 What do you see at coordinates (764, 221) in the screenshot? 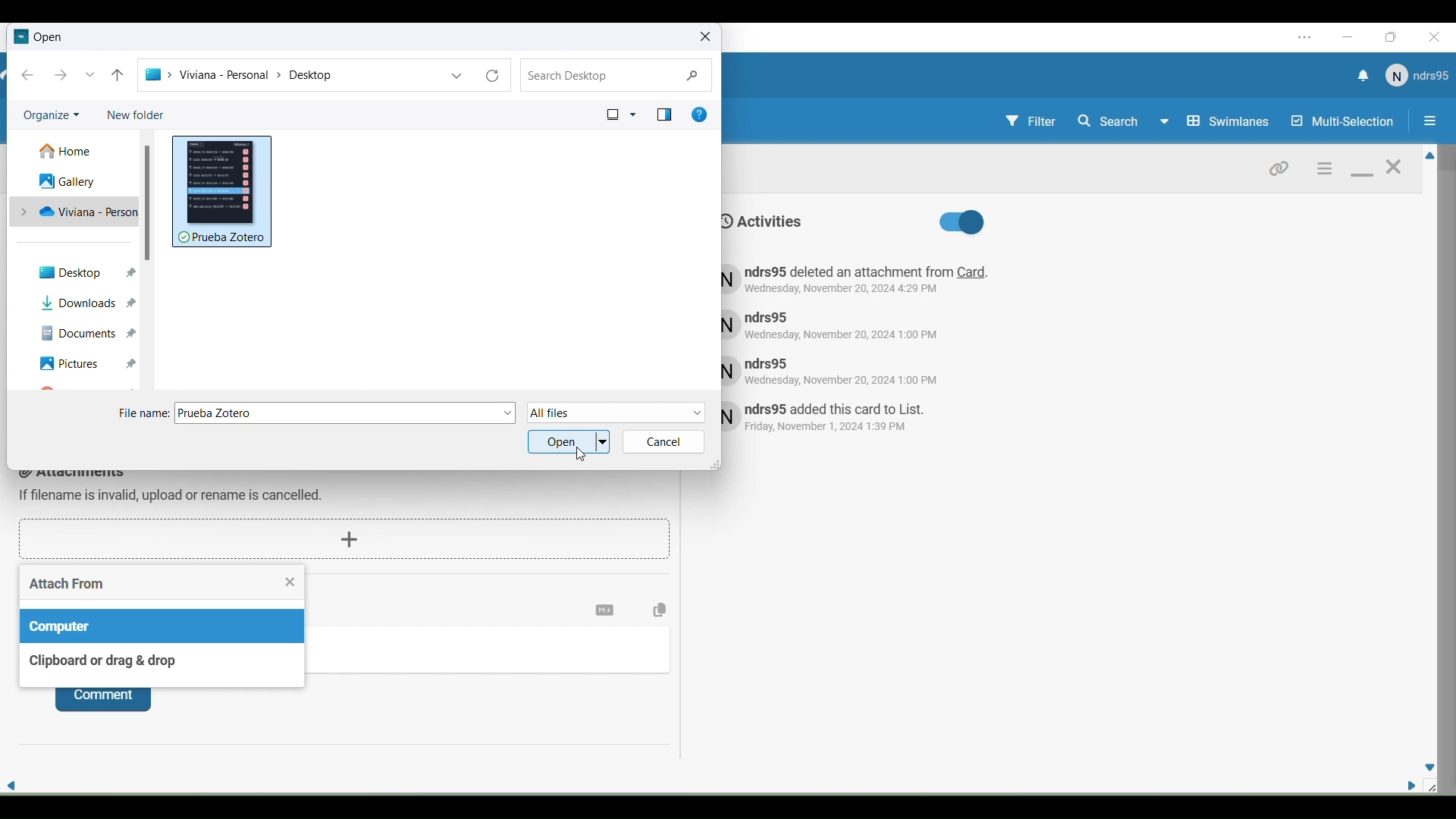
I see `Text` at bounding box center [764, 221].